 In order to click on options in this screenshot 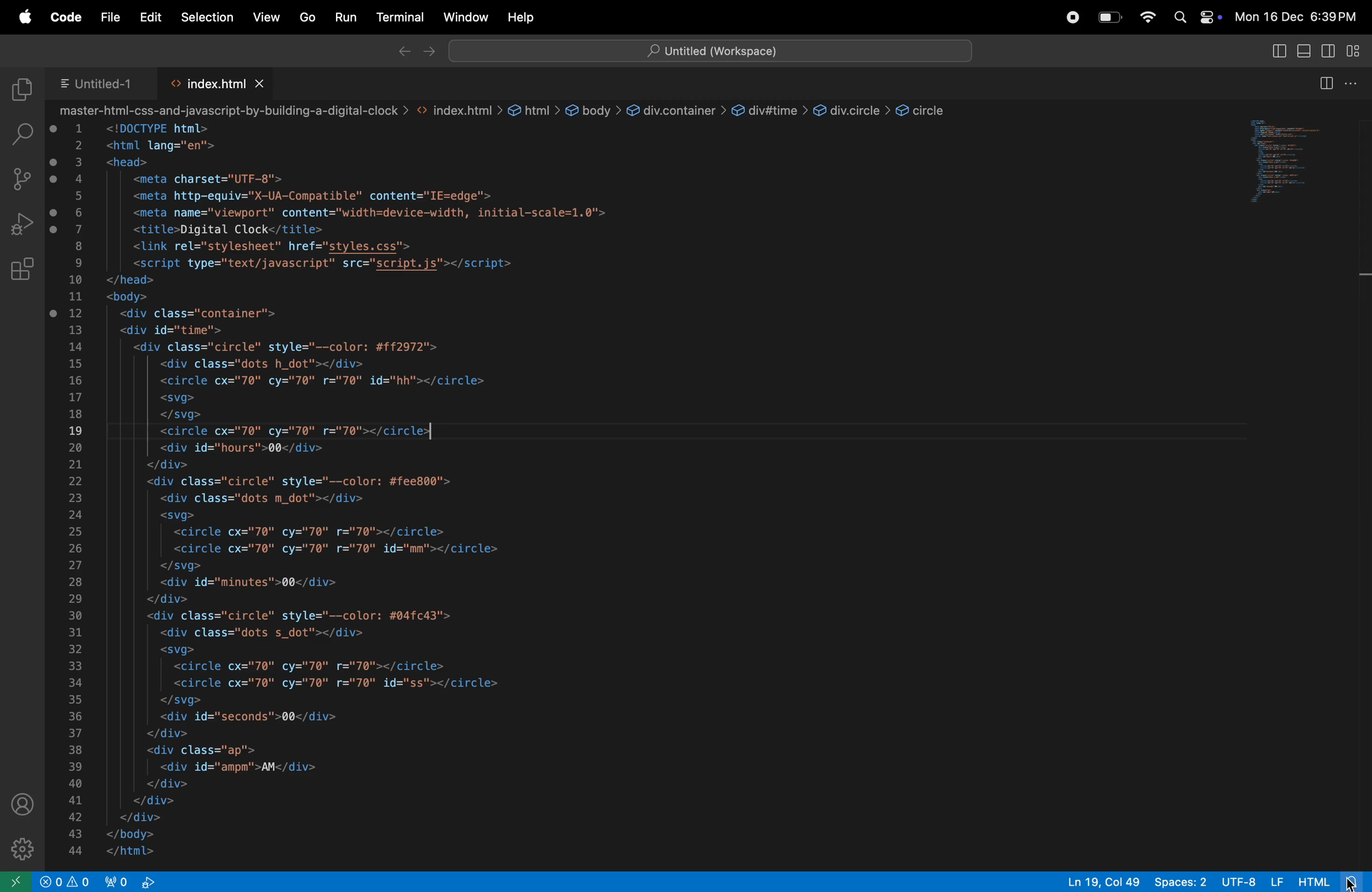, I will do `click(1355, 82)`.